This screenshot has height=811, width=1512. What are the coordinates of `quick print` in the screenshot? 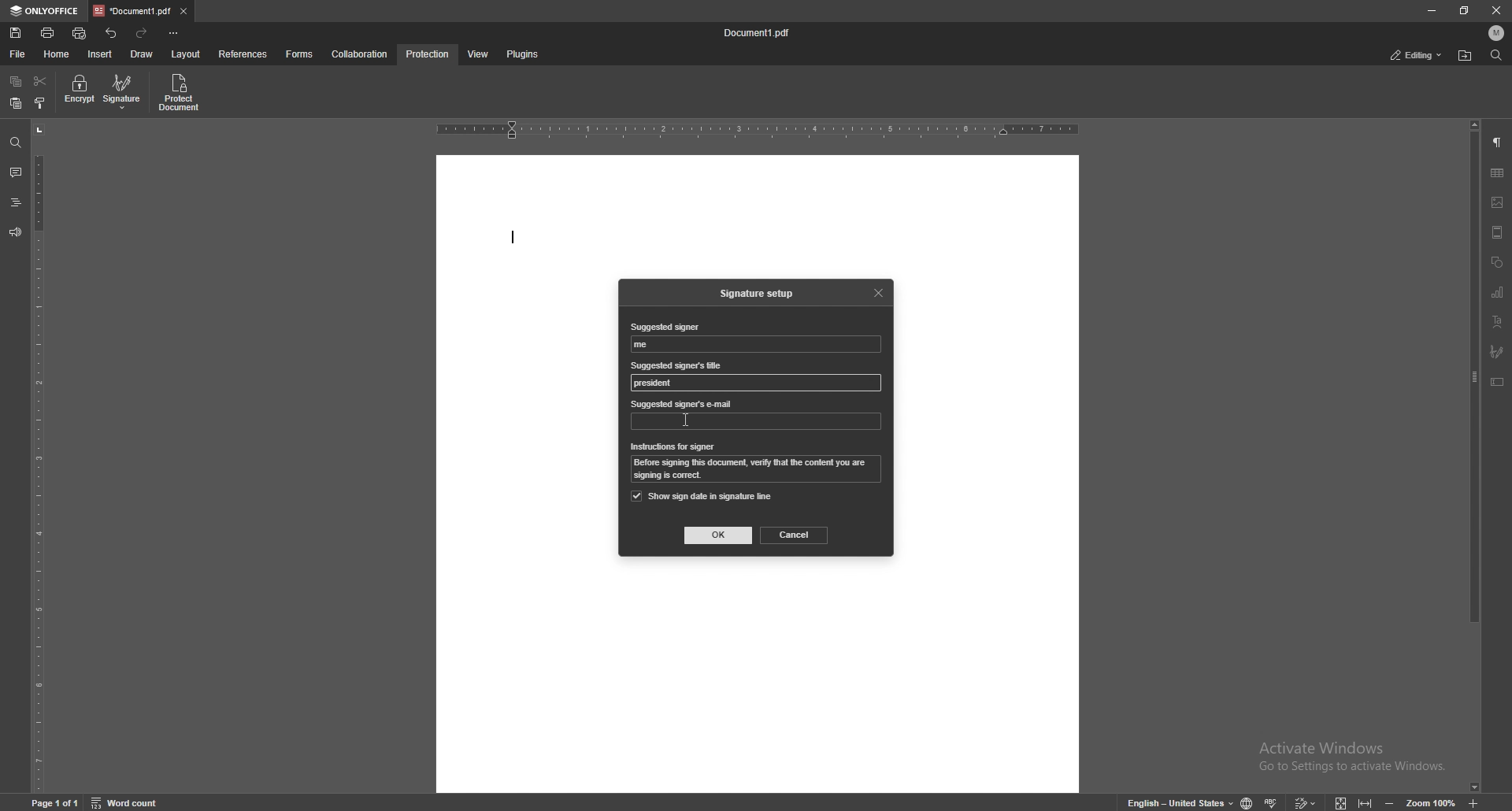 It's located at (80, 35).